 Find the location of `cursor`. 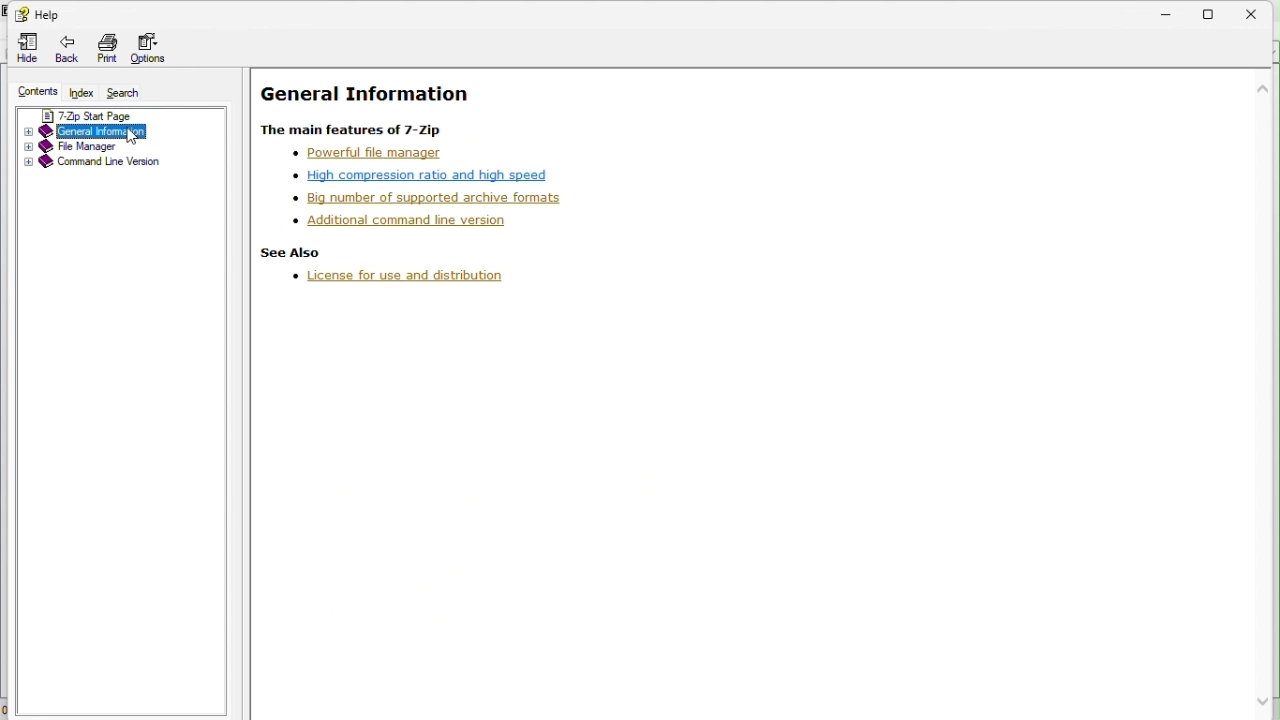

cursor is located at coordinates (133, 136).